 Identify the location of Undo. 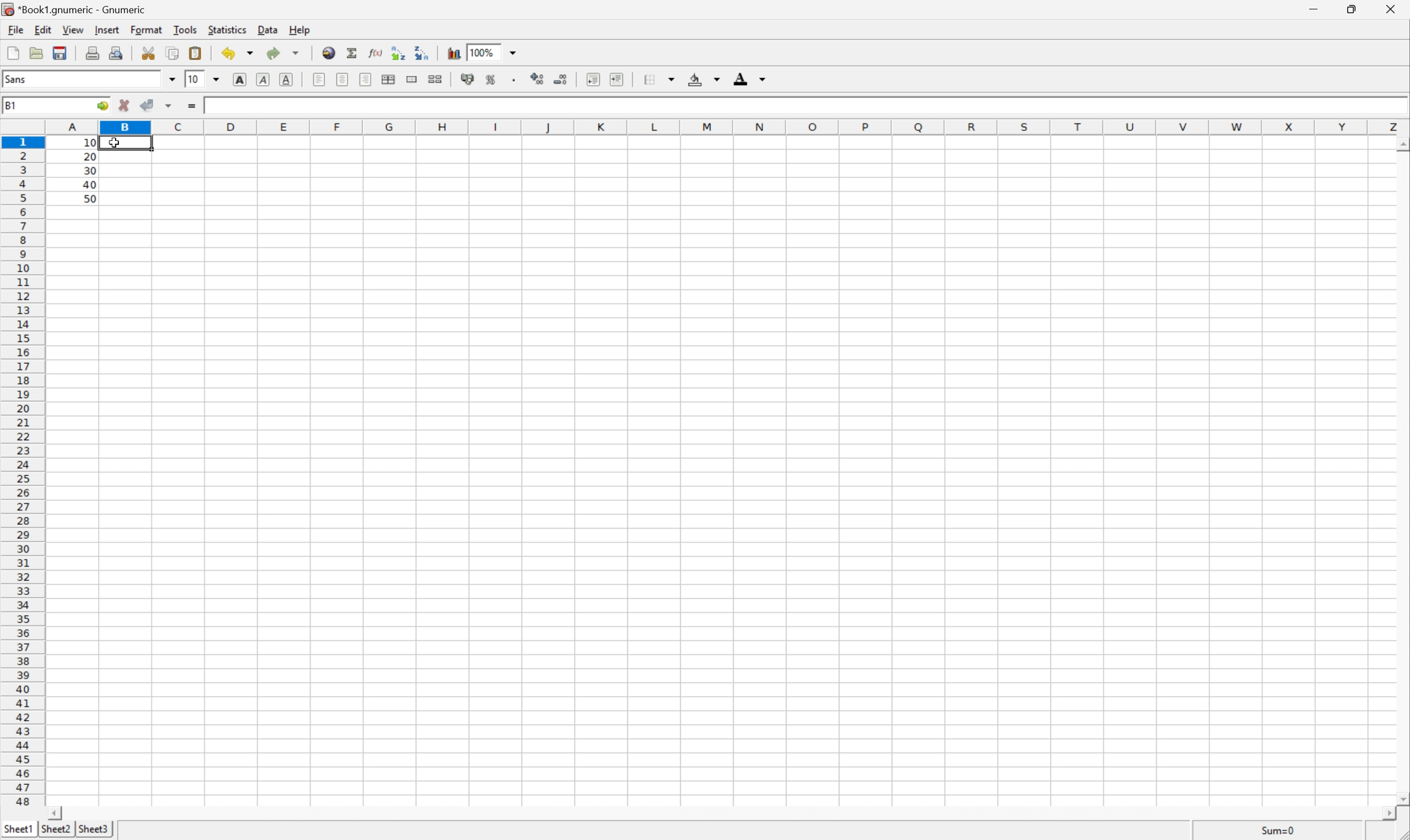
(237, 52).